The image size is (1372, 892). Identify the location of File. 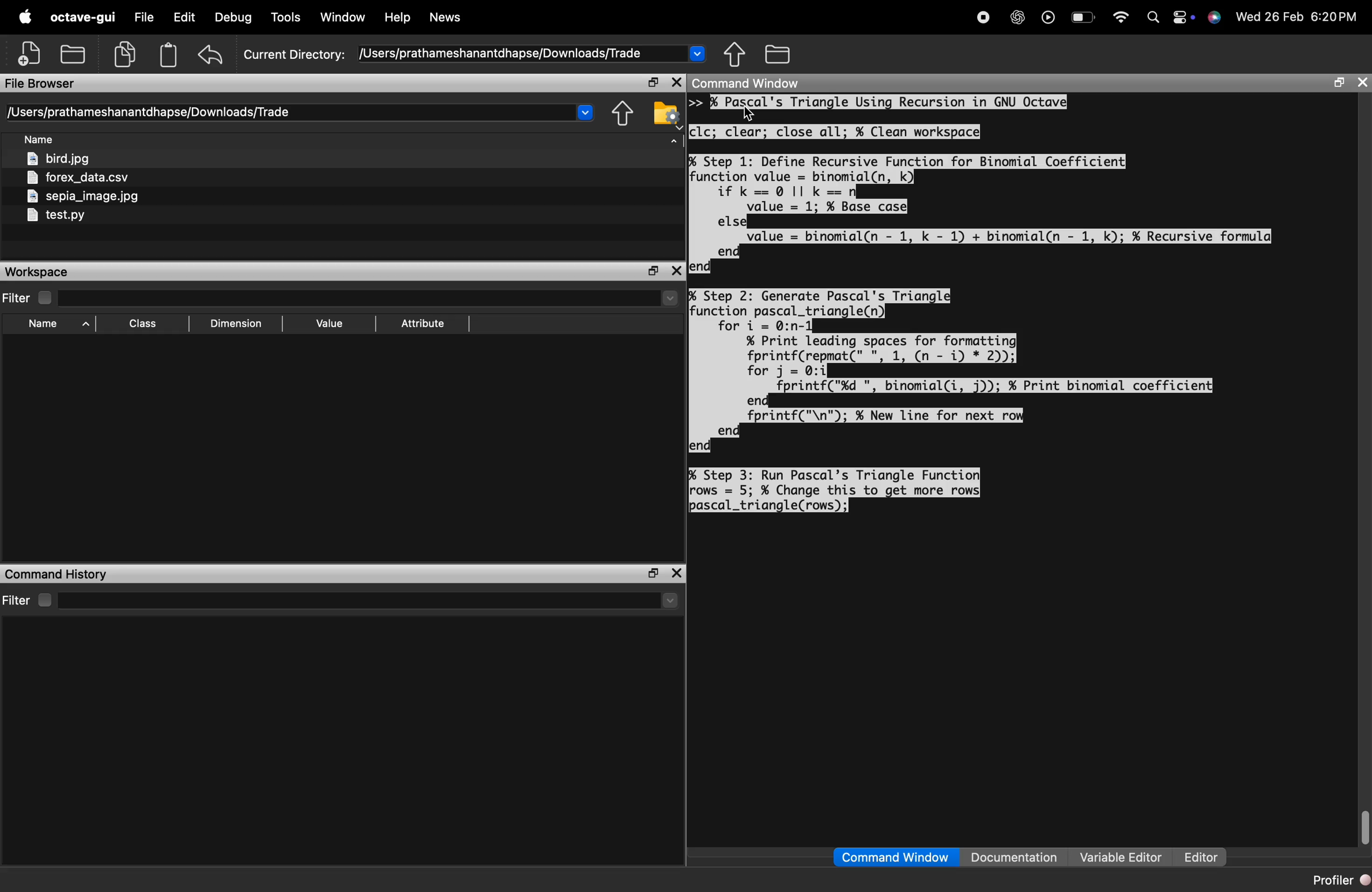
(144, 16).